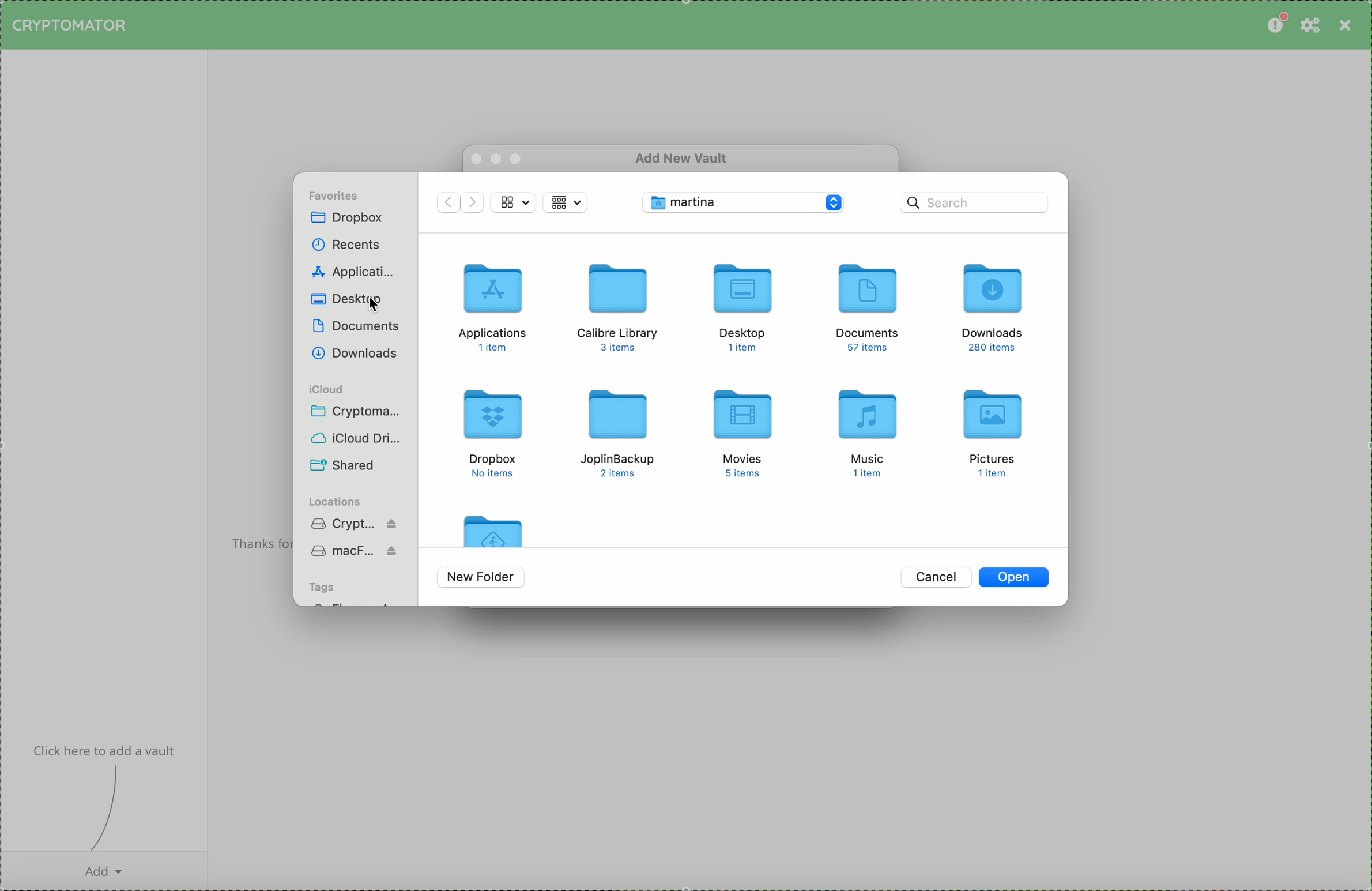  I want to click on picturesd, so click(994, 434).